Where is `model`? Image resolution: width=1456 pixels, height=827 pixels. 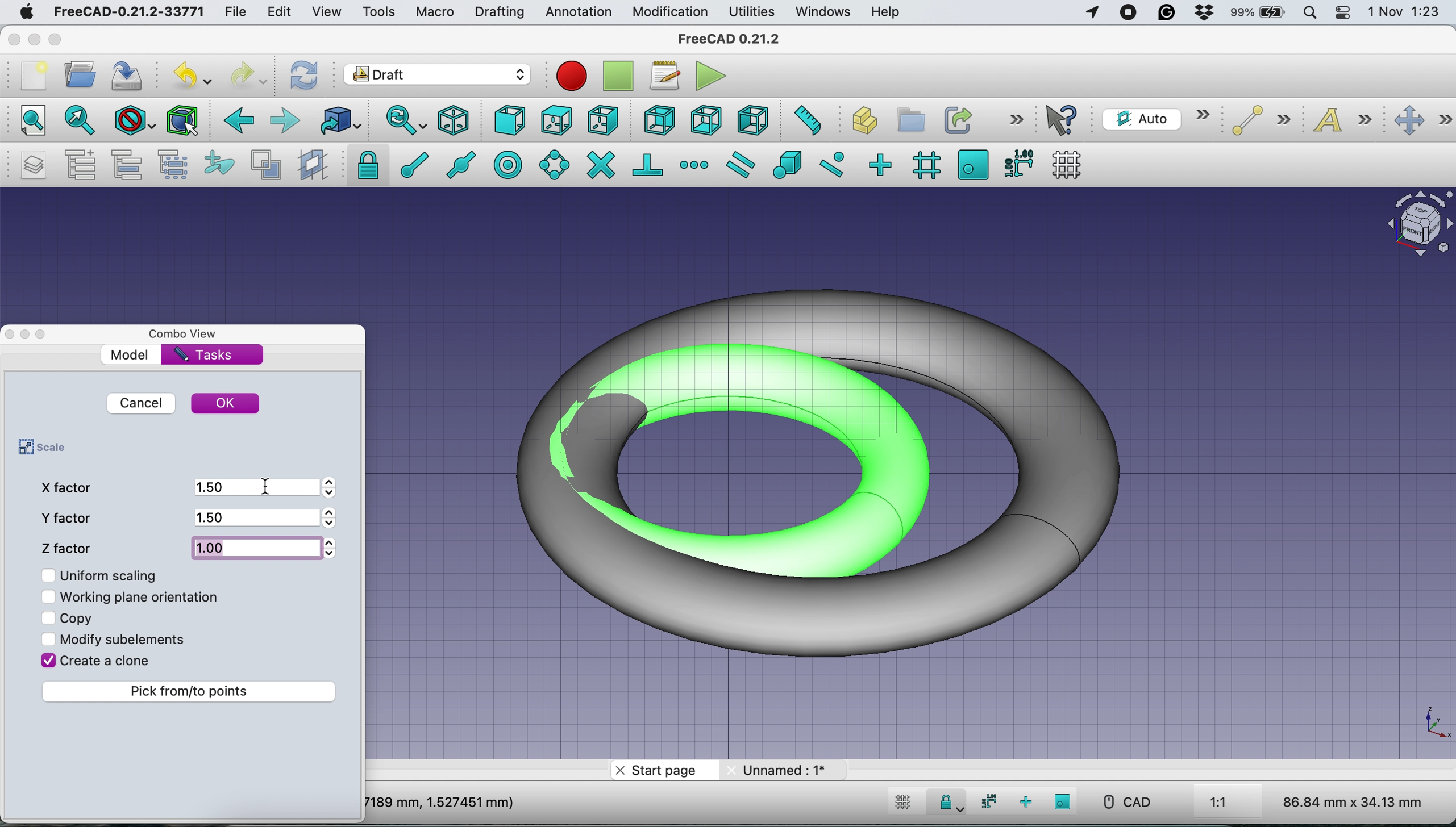
model is located at coordinates (131, 354).